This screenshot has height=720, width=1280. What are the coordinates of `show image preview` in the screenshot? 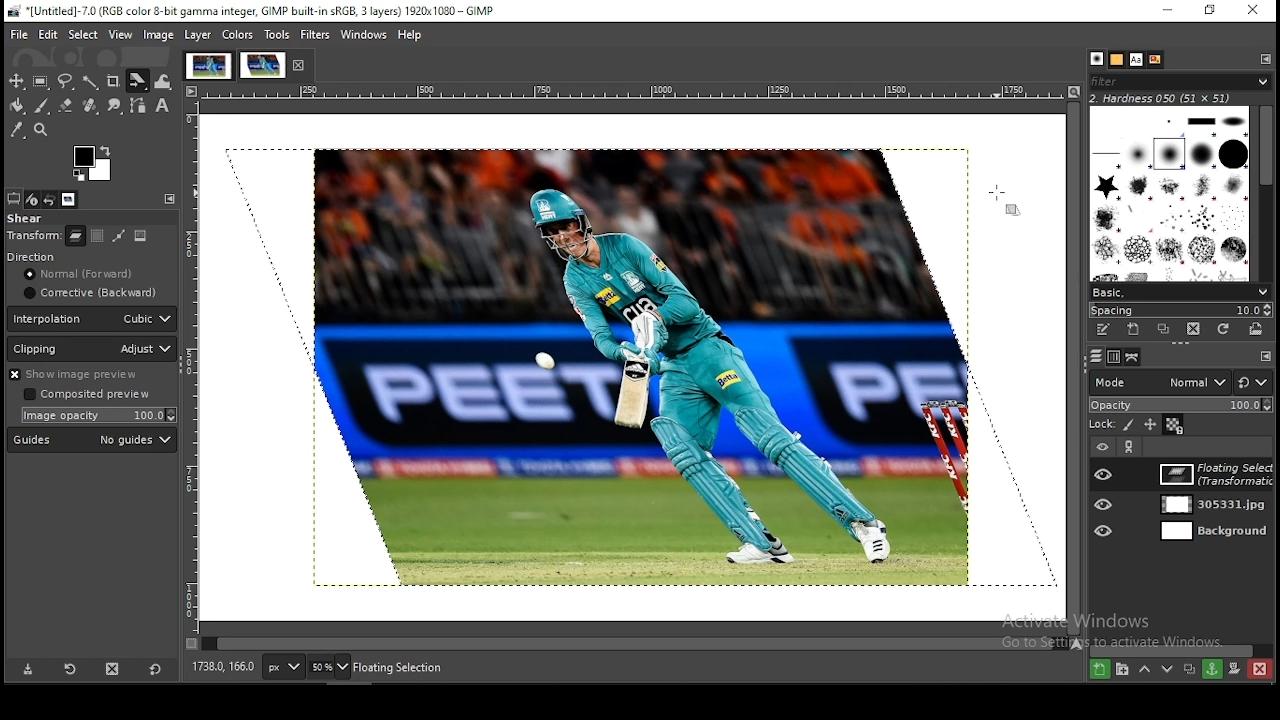 It's located at (88, 375).